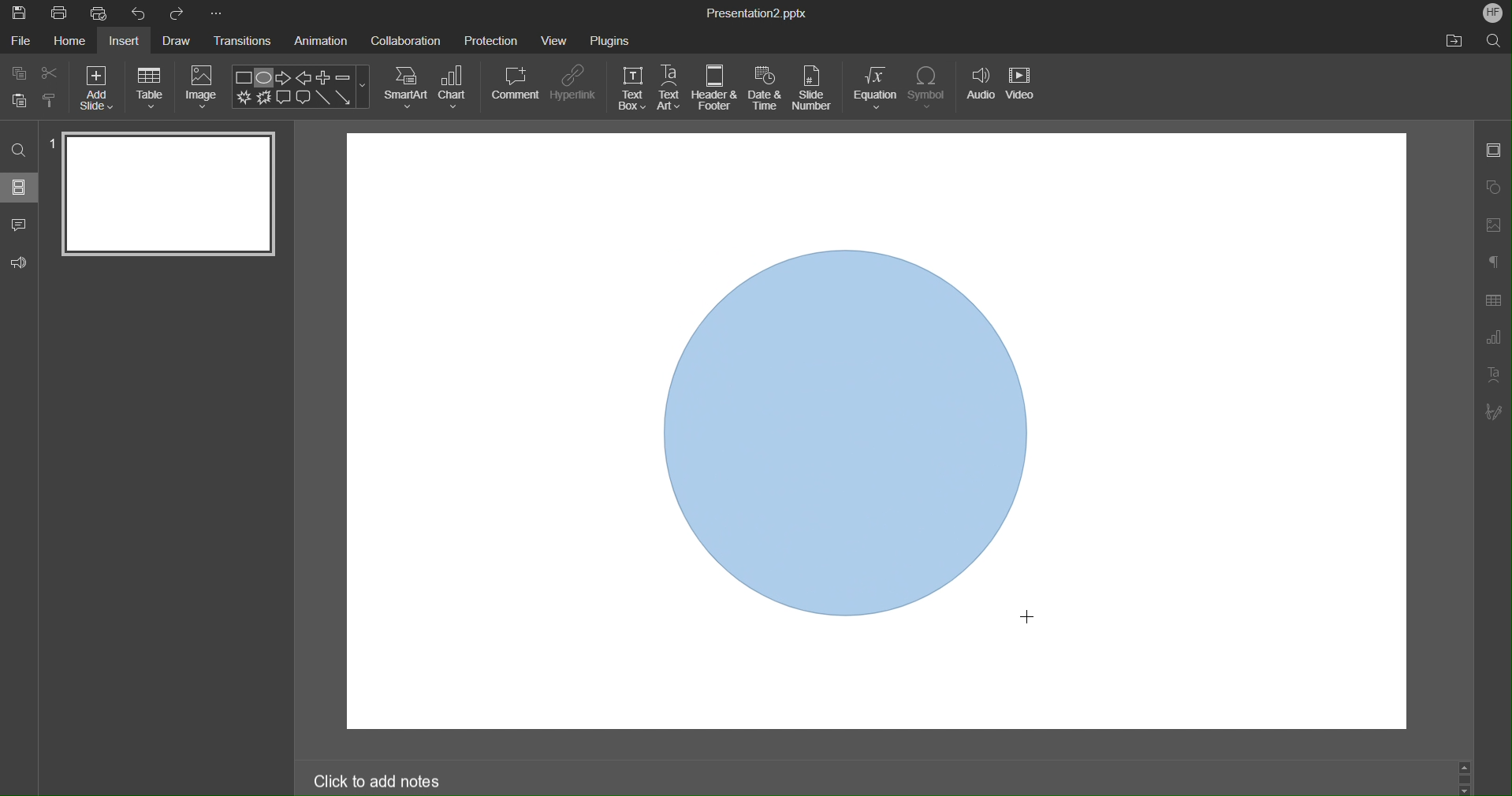  I want to click on Header & Footer, so click(715, 88).